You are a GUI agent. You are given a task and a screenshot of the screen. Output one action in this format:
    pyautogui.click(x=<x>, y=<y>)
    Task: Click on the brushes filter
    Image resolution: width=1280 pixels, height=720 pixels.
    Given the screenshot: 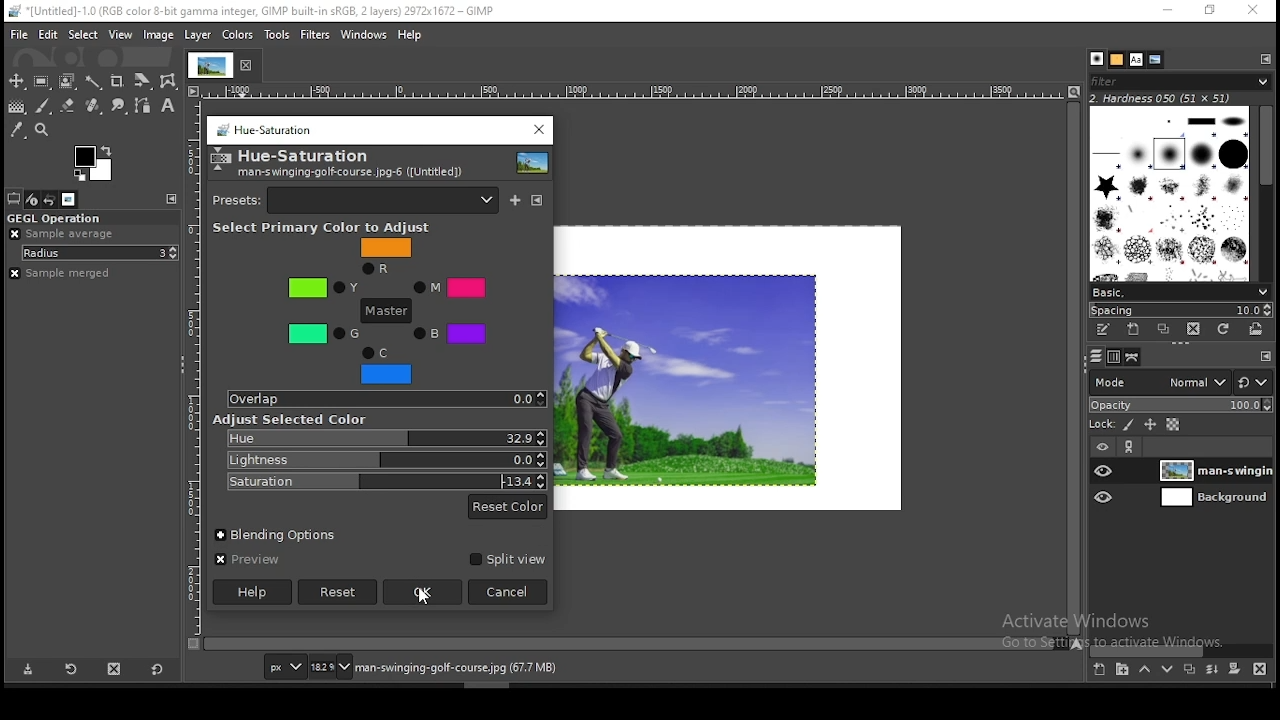 What is the action you would take?
    pyautogui.click(x=1179, y=82)
    